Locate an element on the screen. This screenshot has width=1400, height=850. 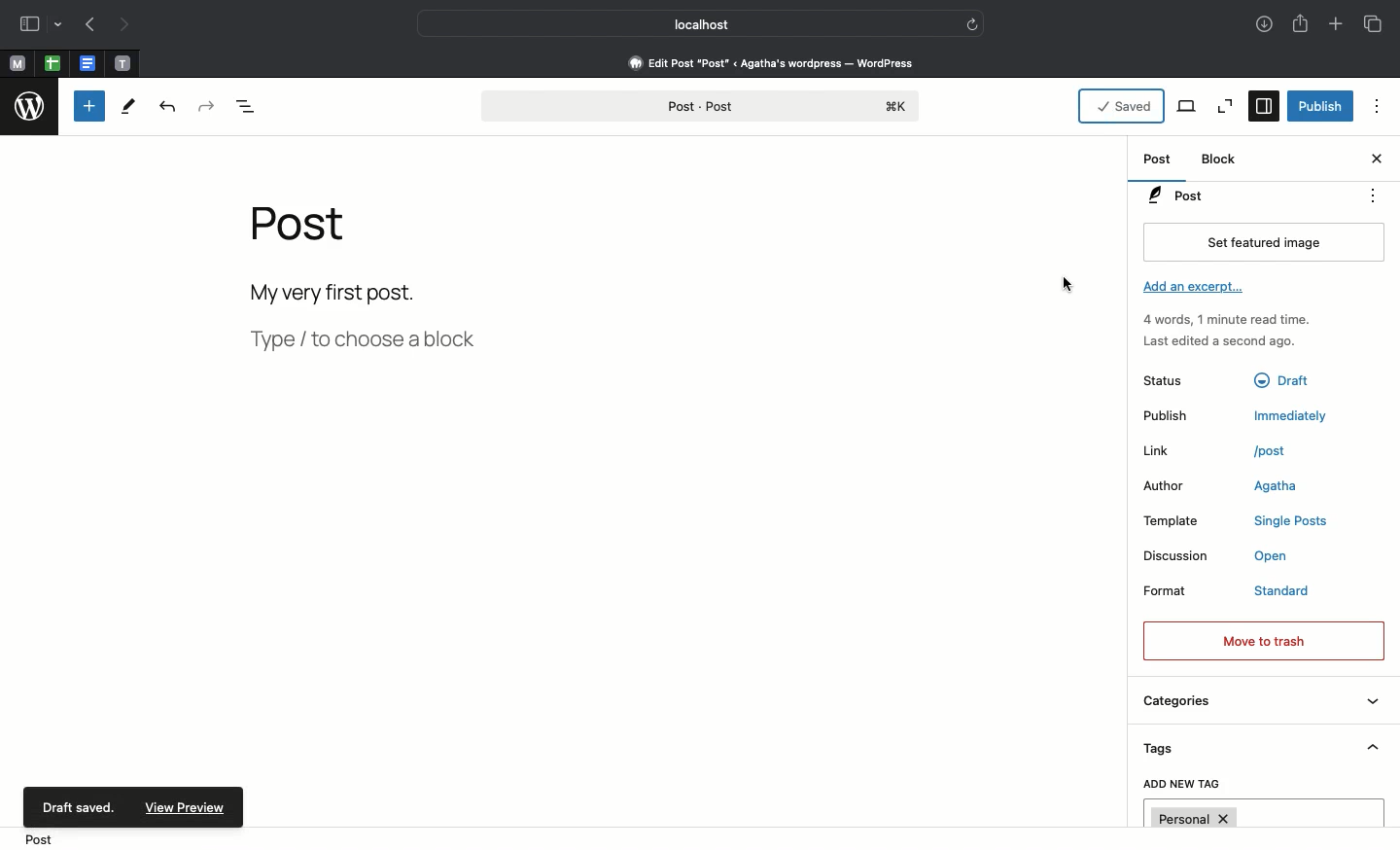
Post is located at coordinates (1159, 161).